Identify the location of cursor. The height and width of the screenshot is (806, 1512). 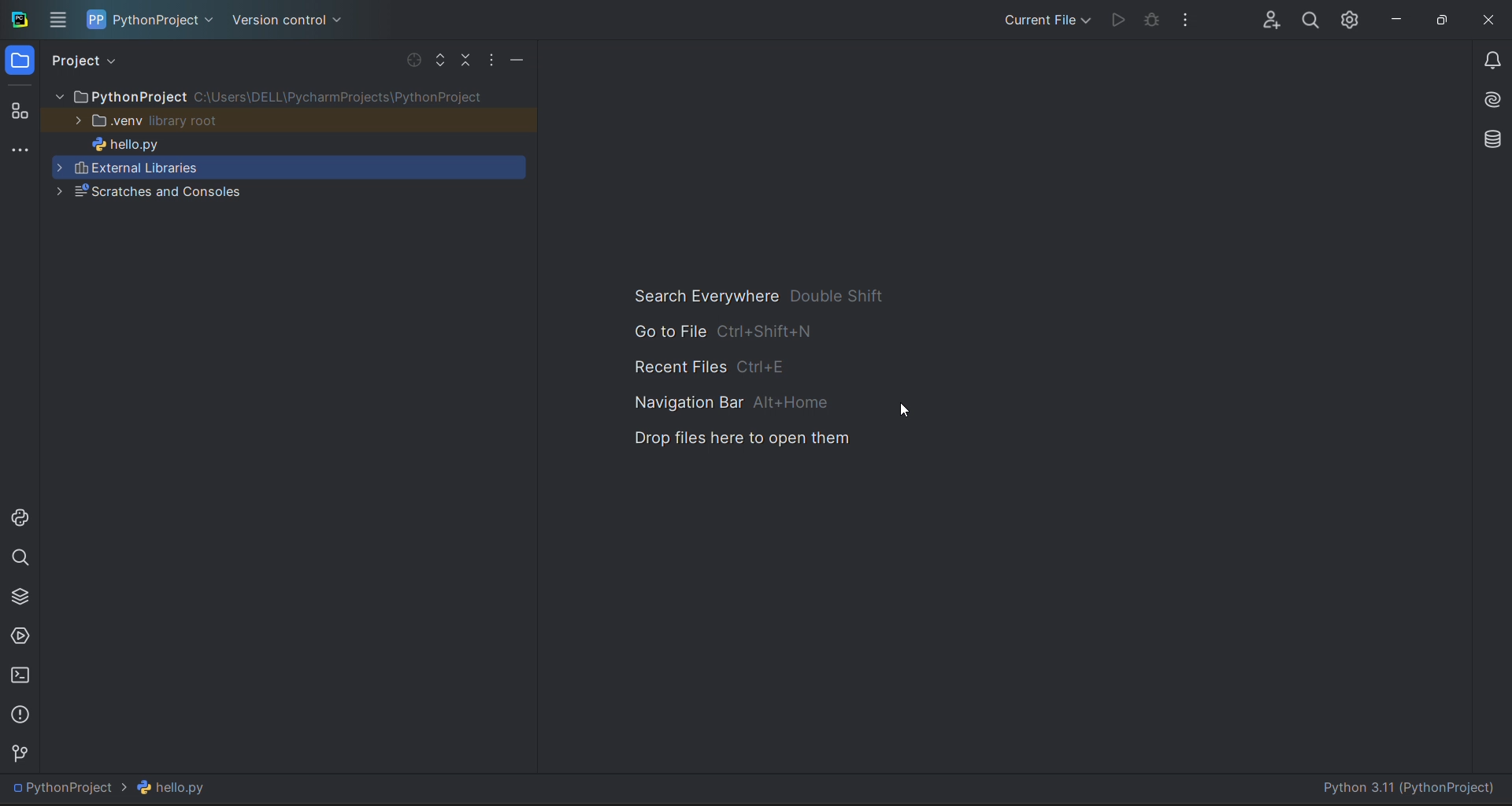
(902, 408).